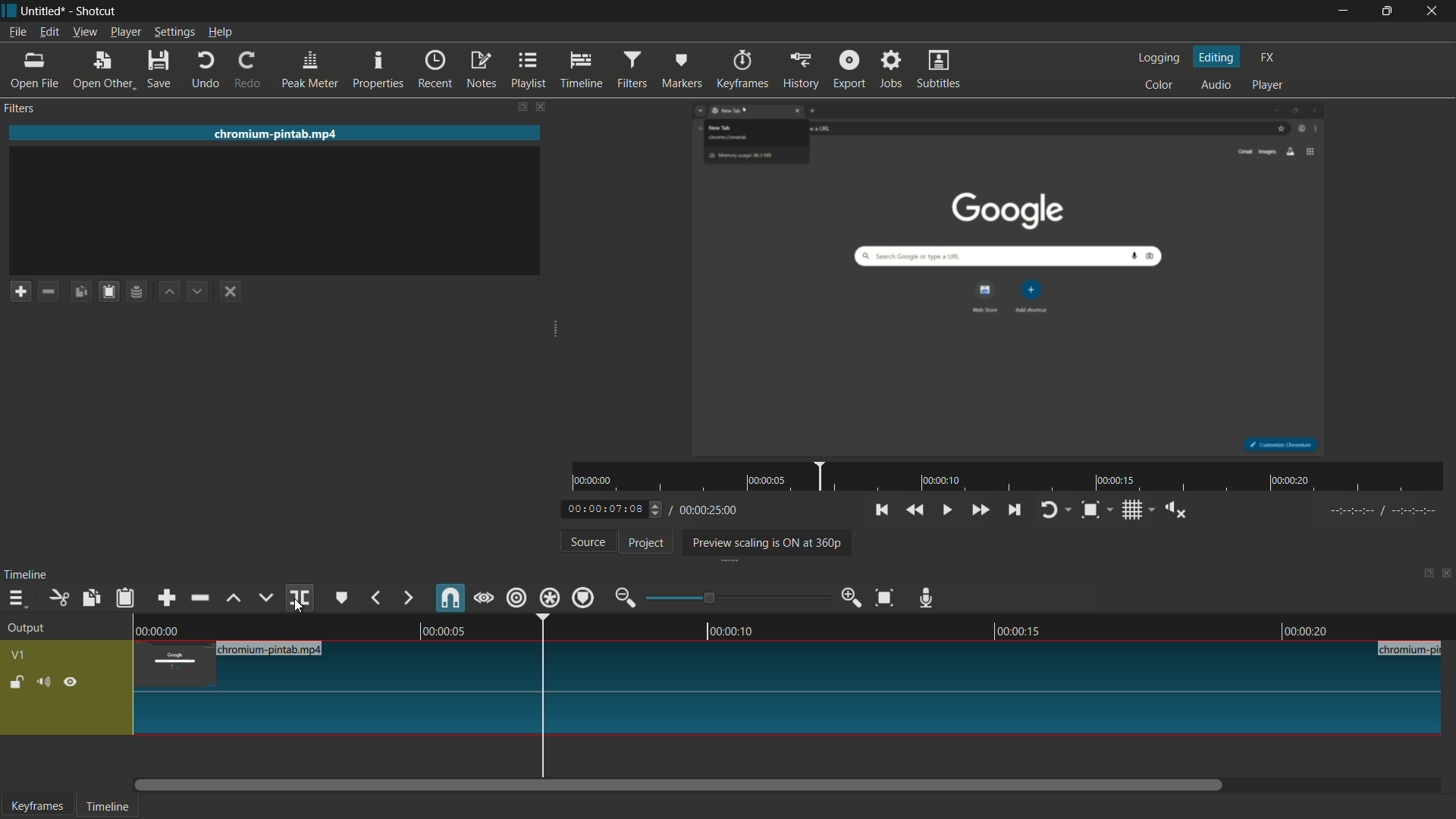  I want to click on jobs, so click(890, 69).